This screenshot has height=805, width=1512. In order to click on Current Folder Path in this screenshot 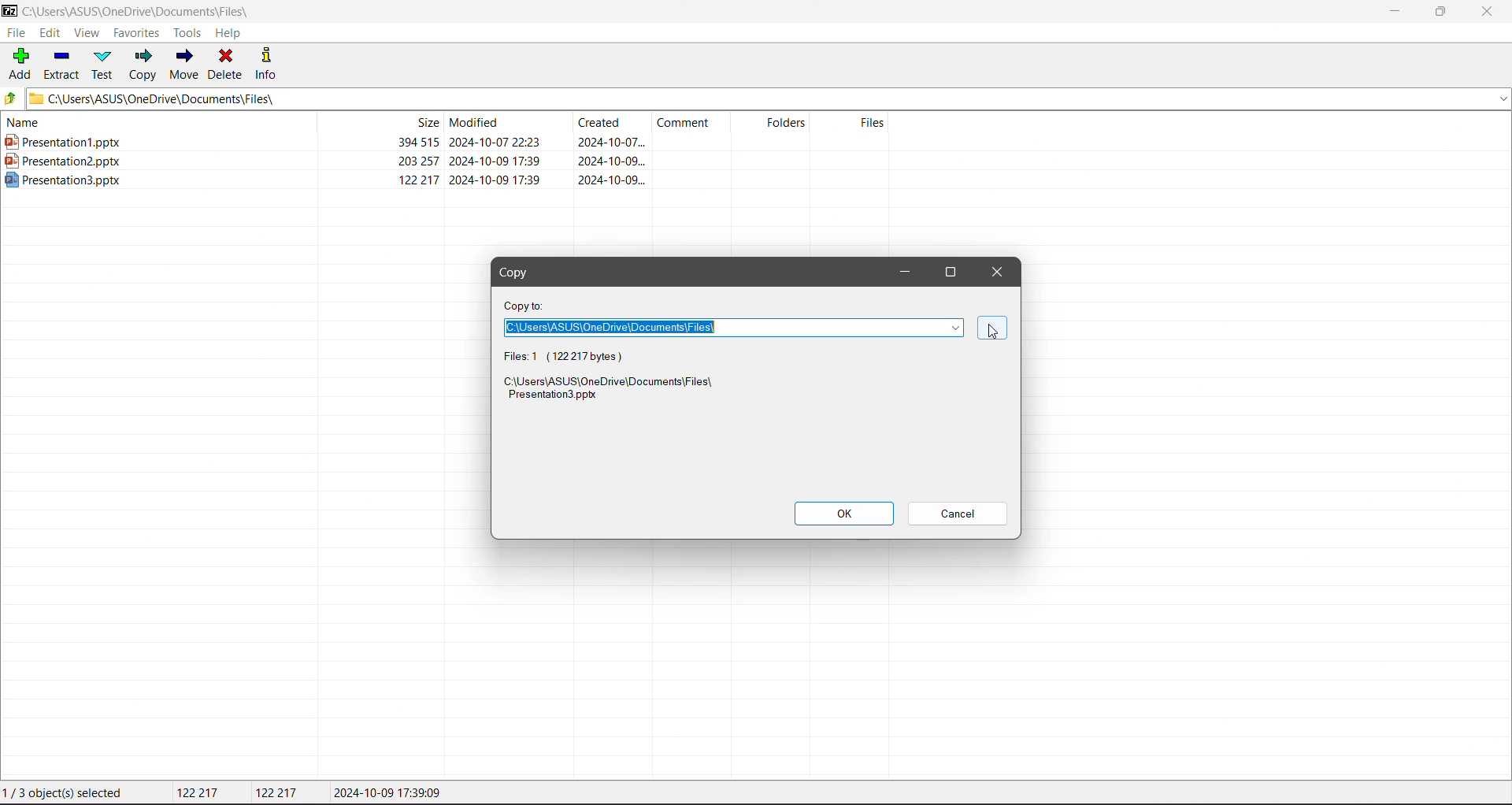, I will do `click(770, 98)`.